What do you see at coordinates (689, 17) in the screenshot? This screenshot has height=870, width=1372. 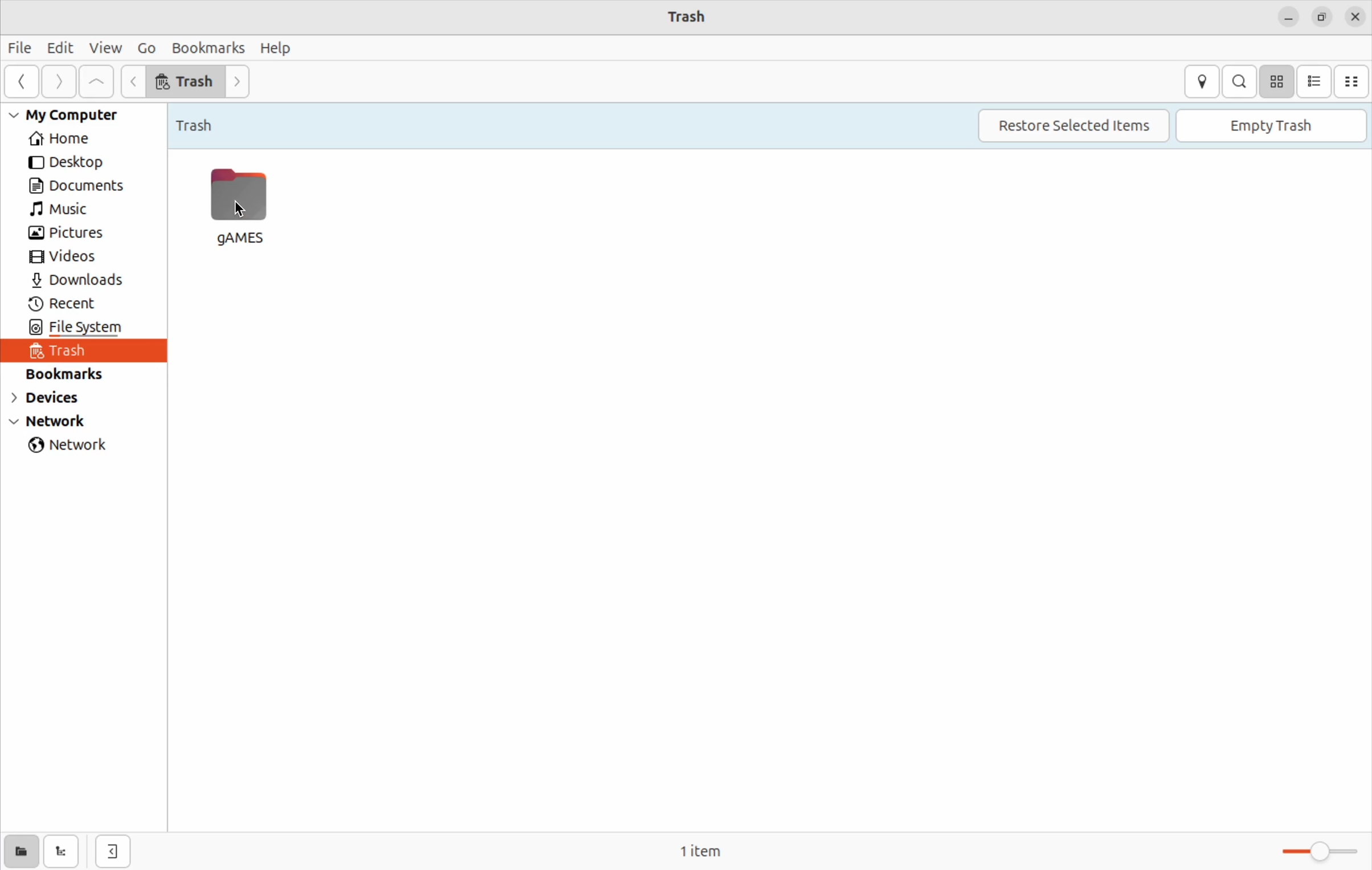 I see `trash` at bounding box center [689, 17].